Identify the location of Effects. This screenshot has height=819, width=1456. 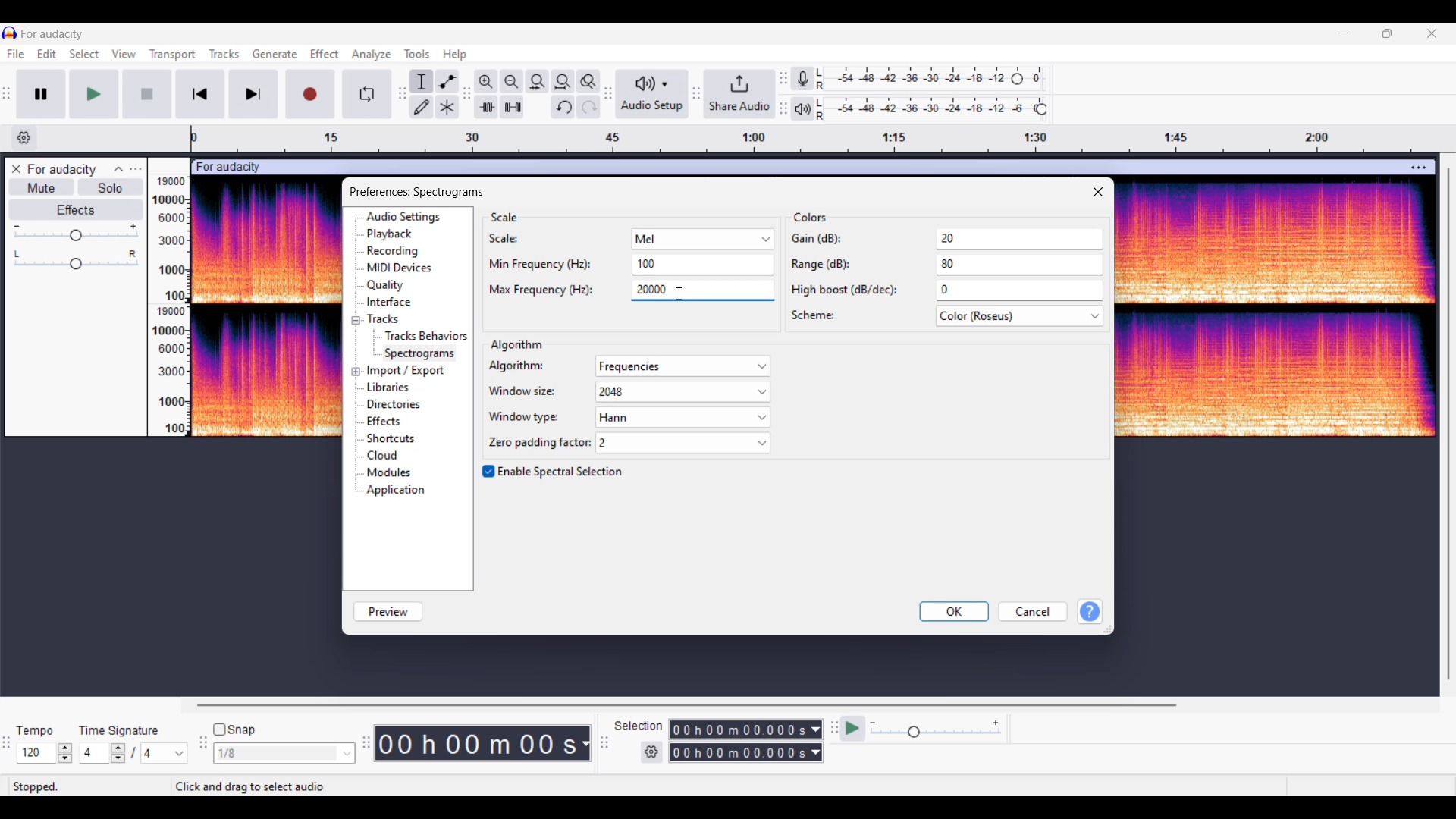
(75, 210).